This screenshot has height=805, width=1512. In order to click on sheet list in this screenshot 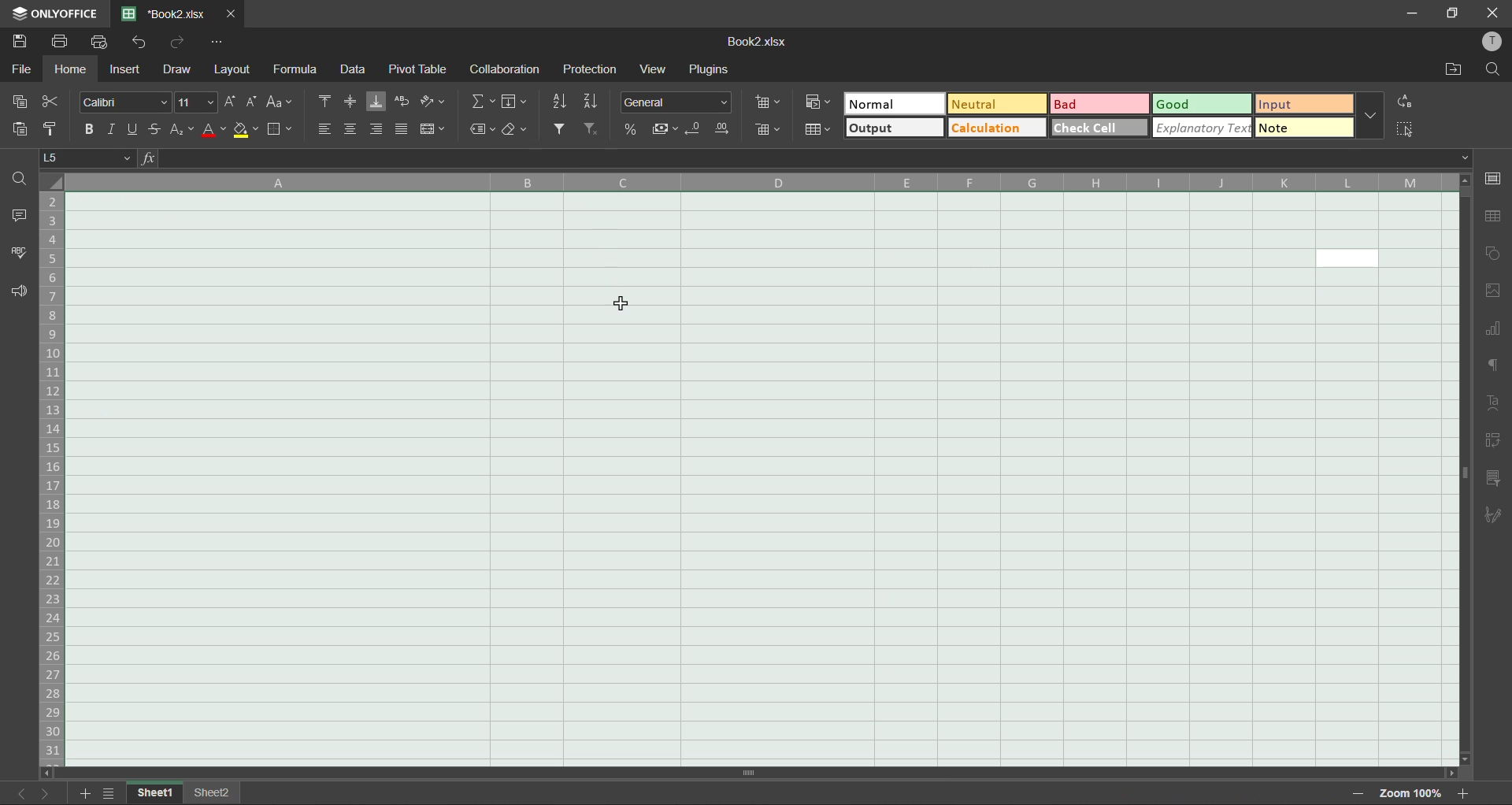, I will do `click(114, 793)`.